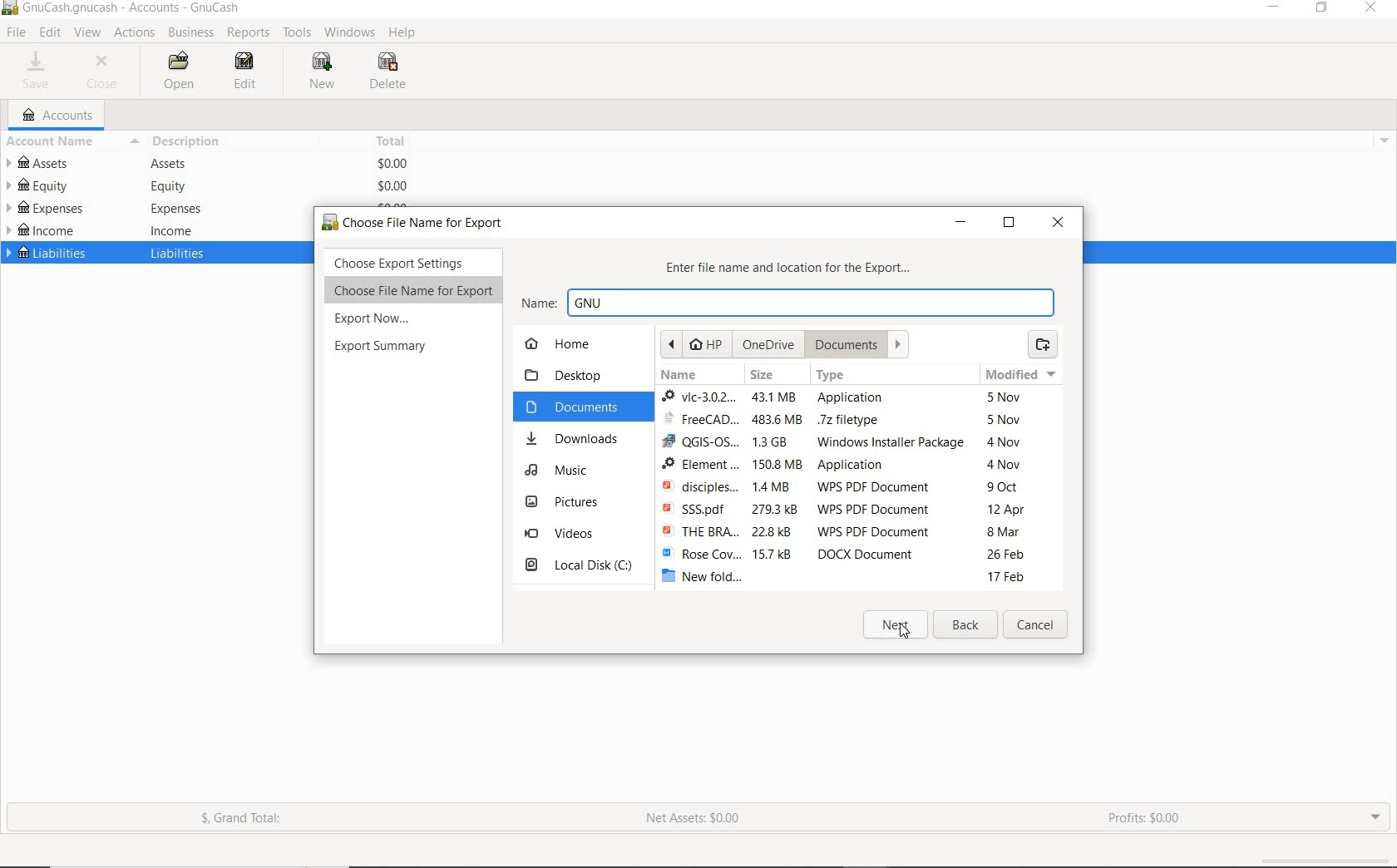 This screenshot has height=868, width=1397. What do you see at coordinates (580, 565) in the screenshot?
I see `local disk c` at bounding box center [580, 565].